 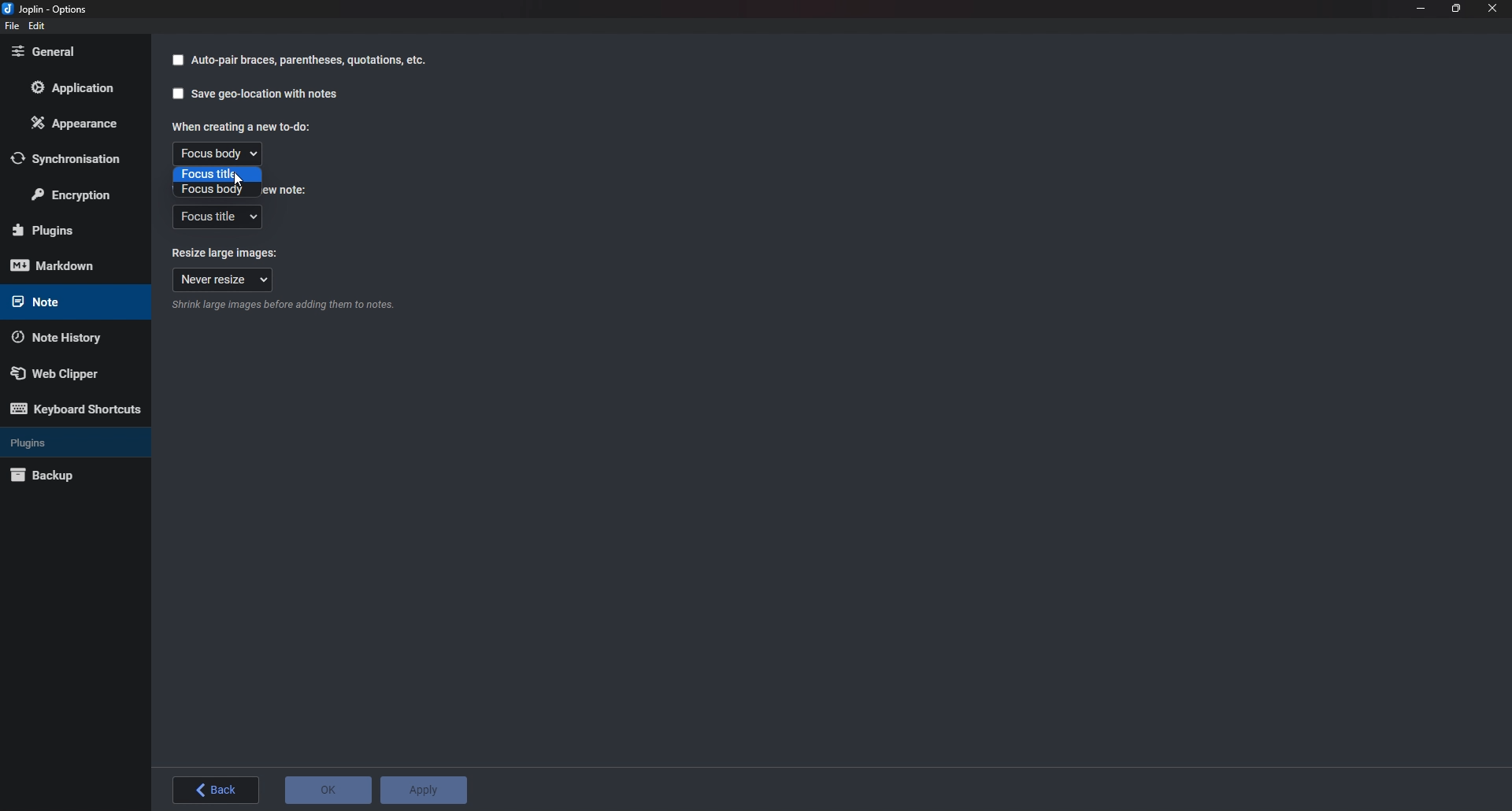 What do you see at coordinates (1421, 9) in the screenshot?
I see `Minimize` at bounding box center [1421, 9].